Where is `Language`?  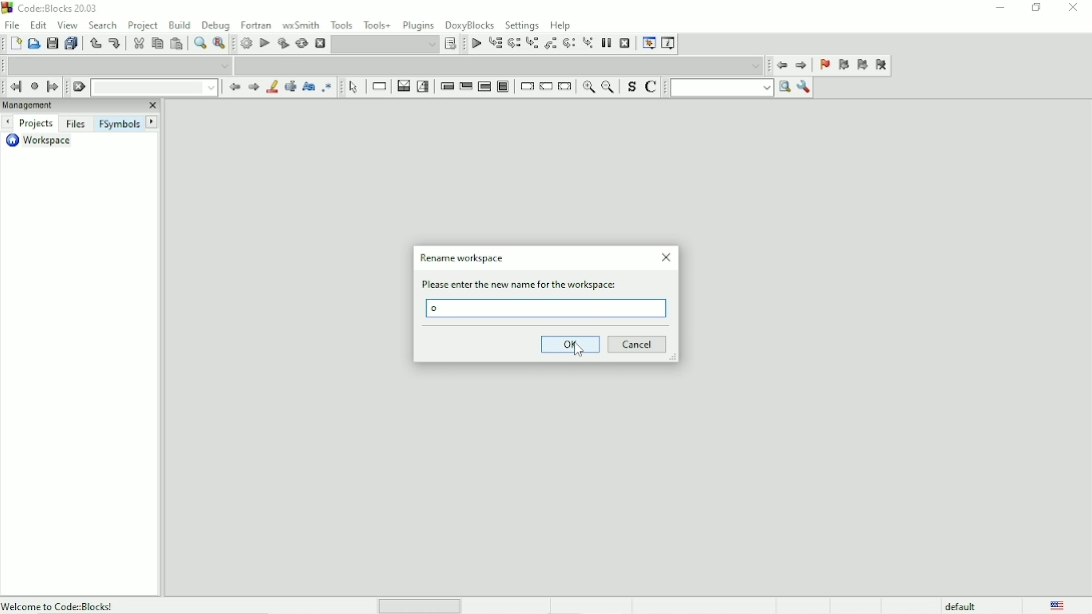
Language is located at coordinates (1057, 605).